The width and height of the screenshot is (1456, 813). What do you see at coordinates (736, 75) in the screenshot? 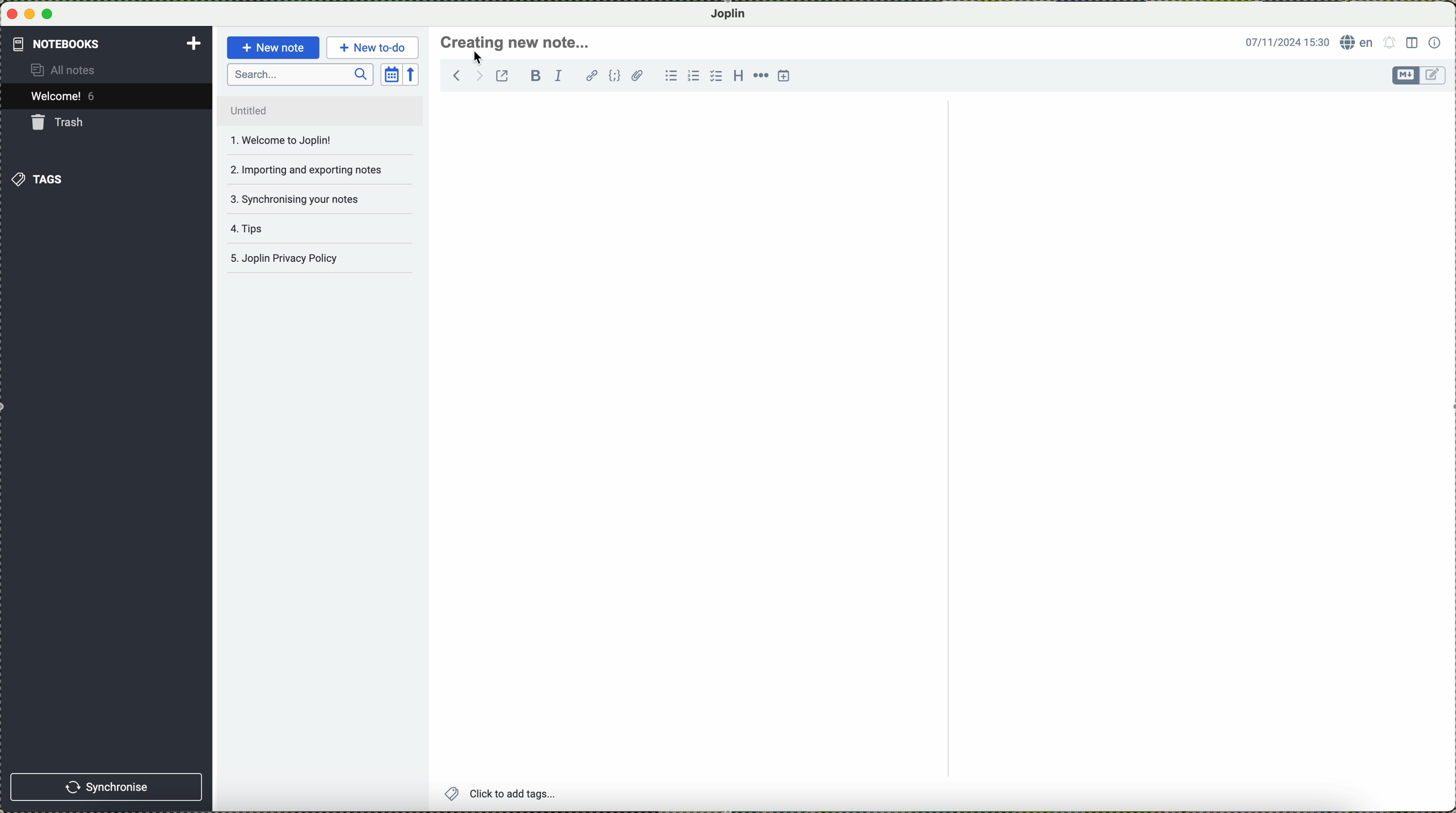
I see `heading` at bounding box center [736, 75].